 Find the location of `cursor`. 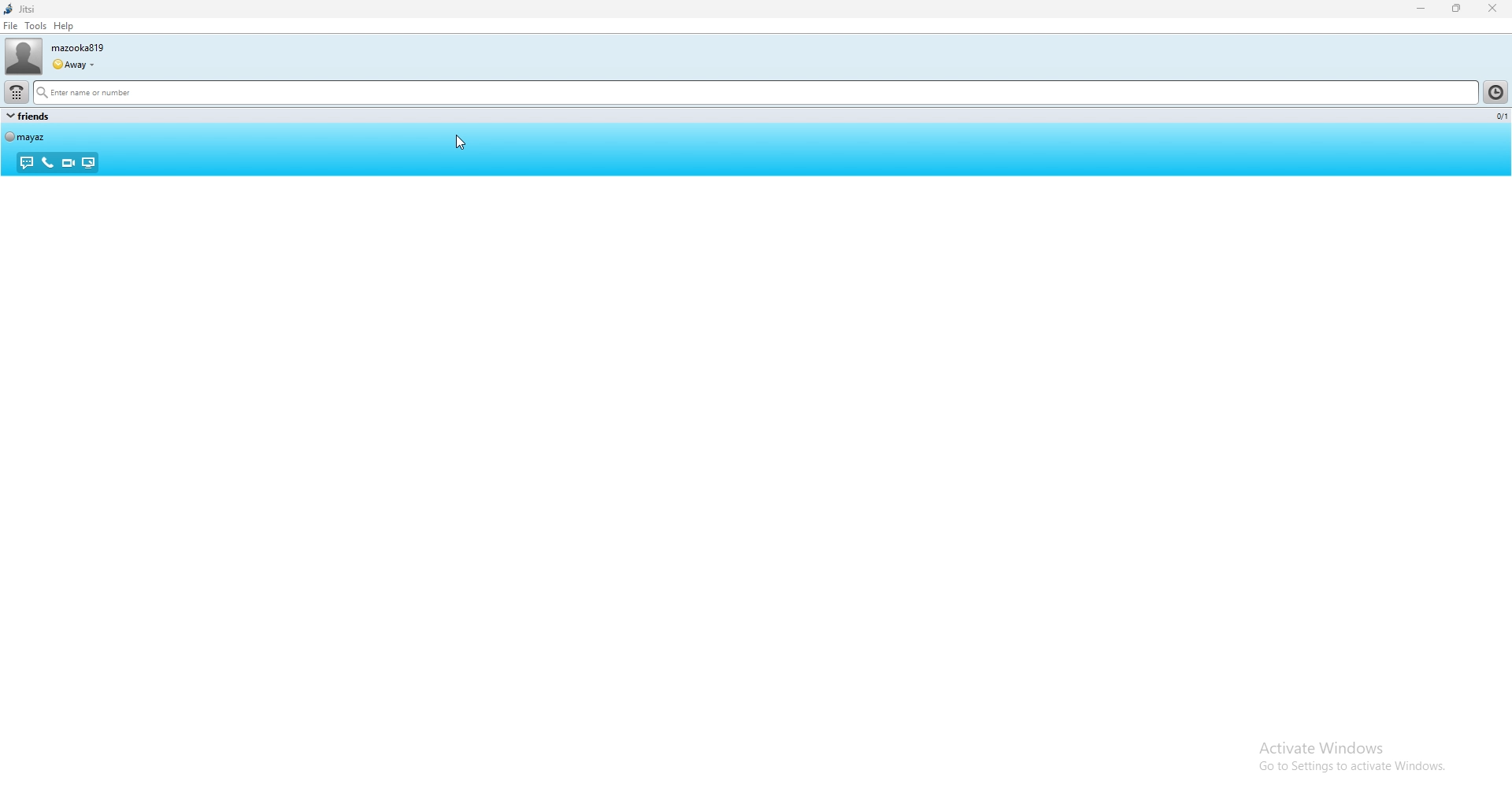

cursor is located at coordinates (462, 142).